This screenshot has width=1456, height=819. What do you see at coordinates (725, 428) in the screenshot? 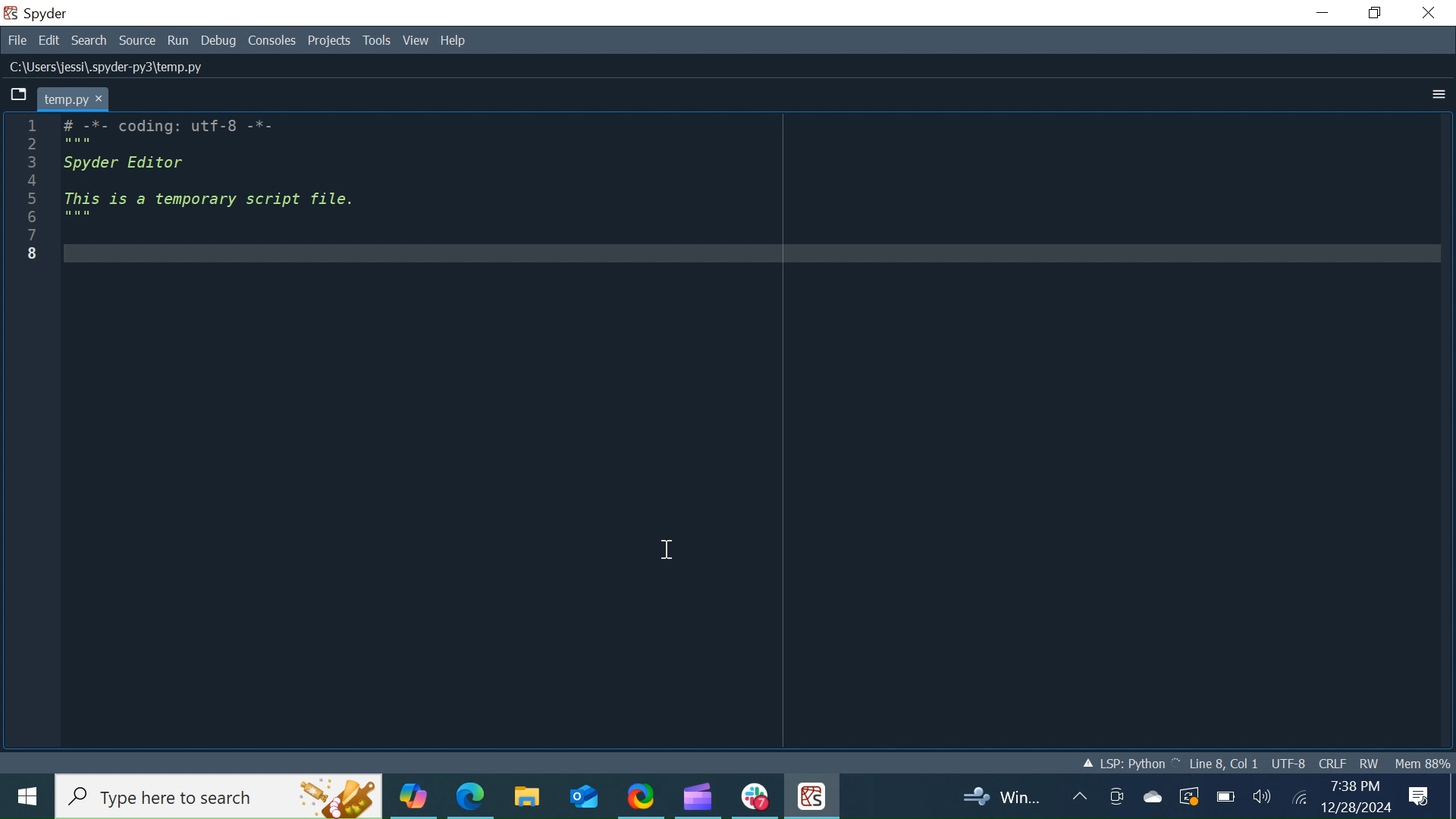
I see `Editor` at bounding box center [725, 428].